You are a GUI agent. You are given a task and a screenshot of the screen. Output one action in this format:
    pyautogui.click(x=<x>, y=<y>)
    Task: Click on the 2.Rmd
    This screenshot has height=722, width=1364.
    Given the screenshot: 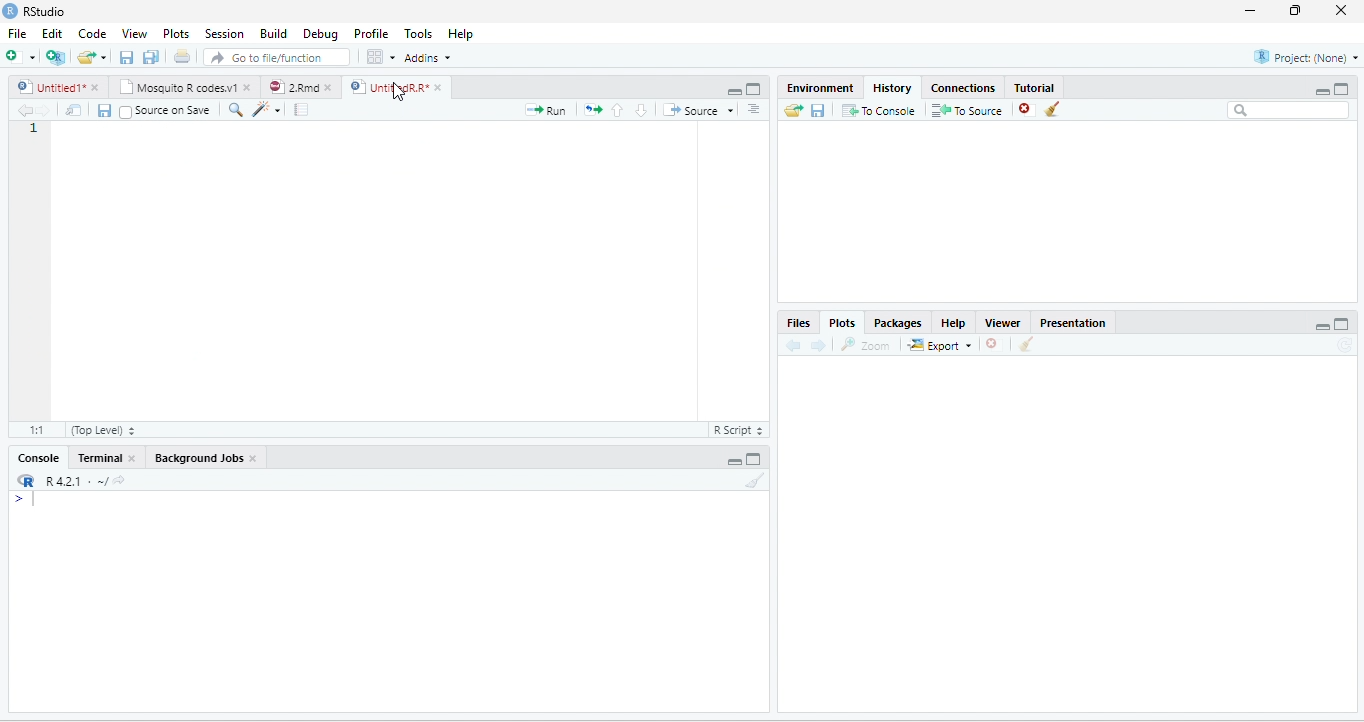 What is the action you would take?
    pyautogui.click(x=292, y=87)
    